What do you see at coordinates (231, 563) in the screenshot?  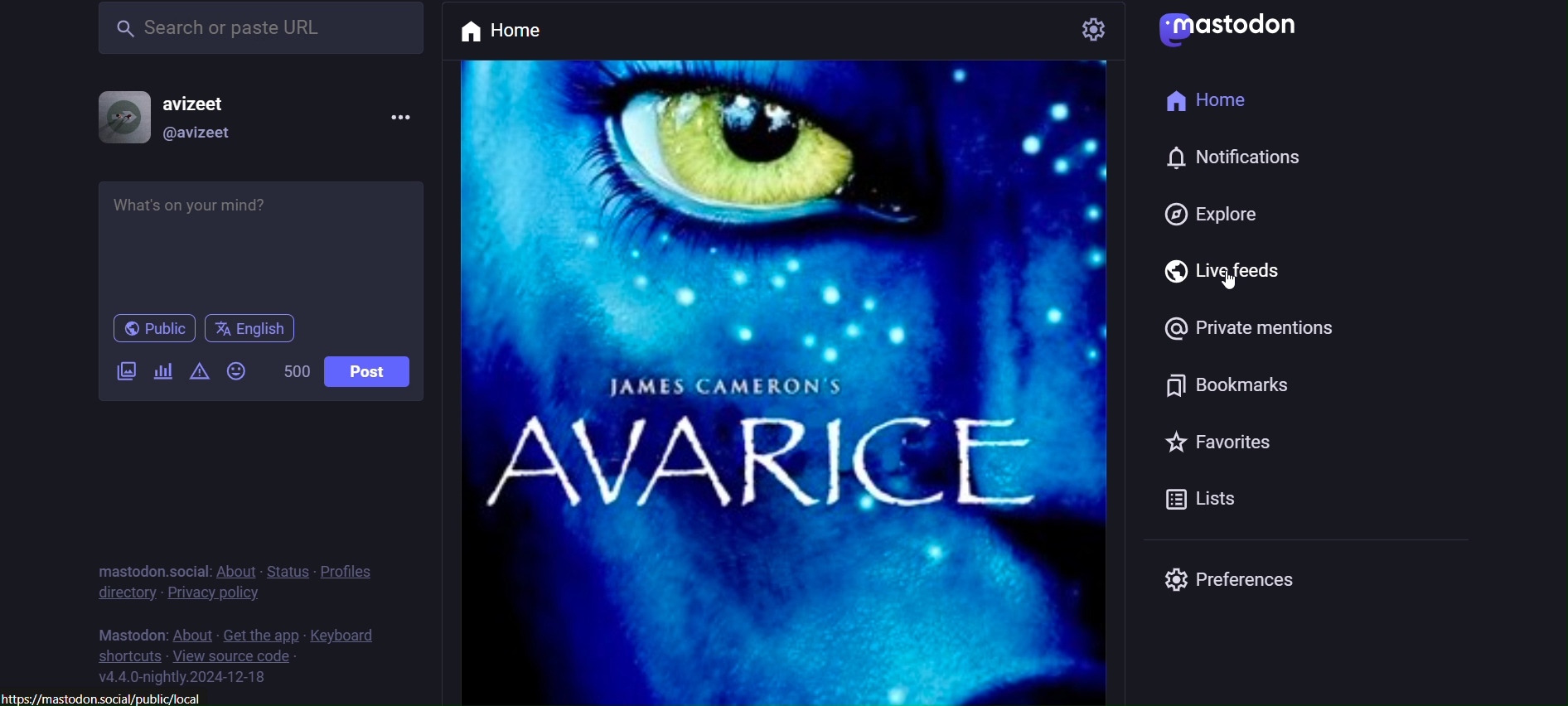 I see `about` at bounding box center [231, 563].